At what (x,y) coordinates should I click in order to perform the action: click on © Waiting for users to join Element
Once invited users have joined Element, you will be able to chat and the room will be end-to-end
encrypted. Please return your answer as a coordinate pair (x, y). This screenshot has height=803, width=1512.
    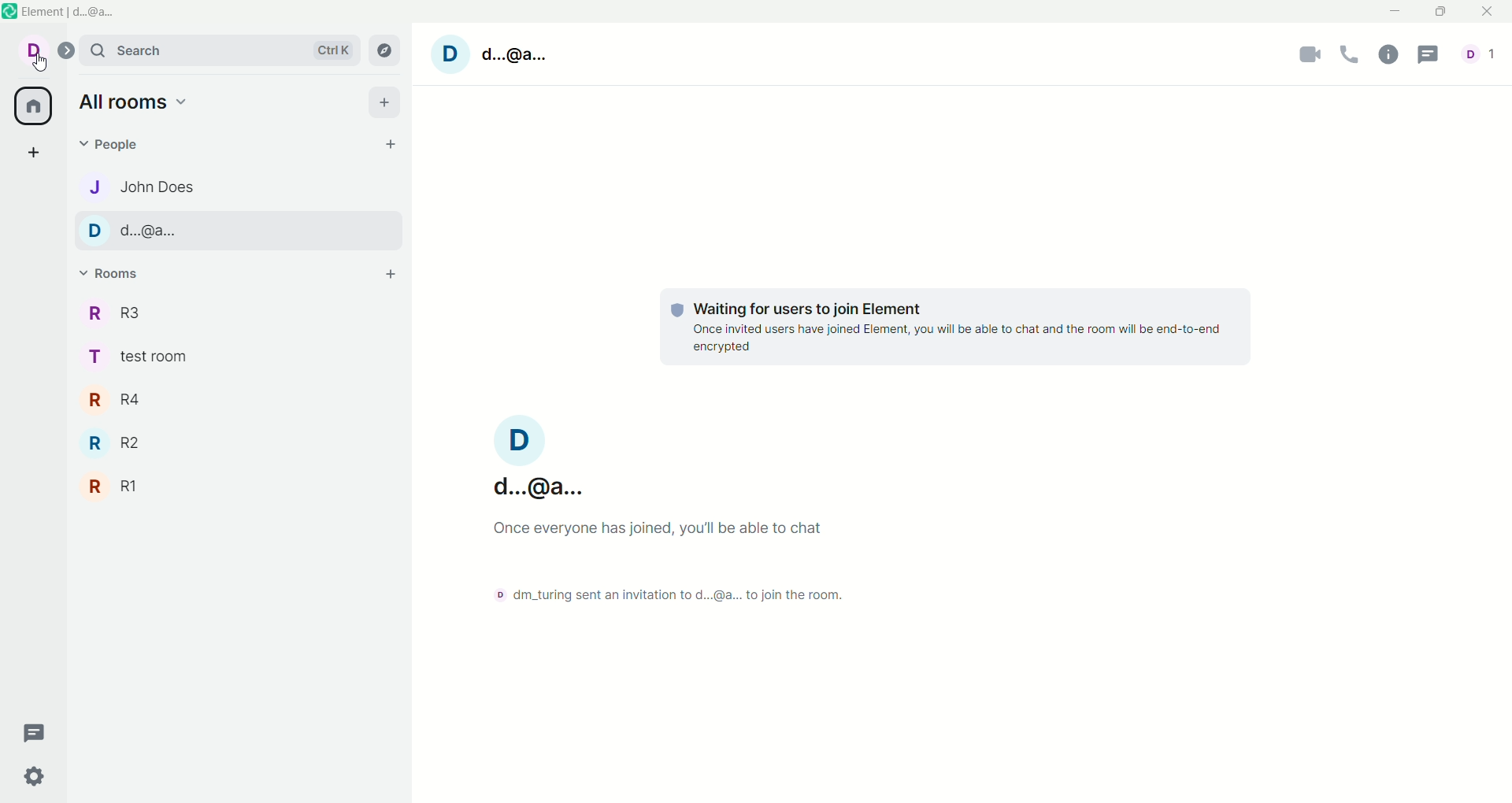
    Looking at the image, I should click on (956, 326).